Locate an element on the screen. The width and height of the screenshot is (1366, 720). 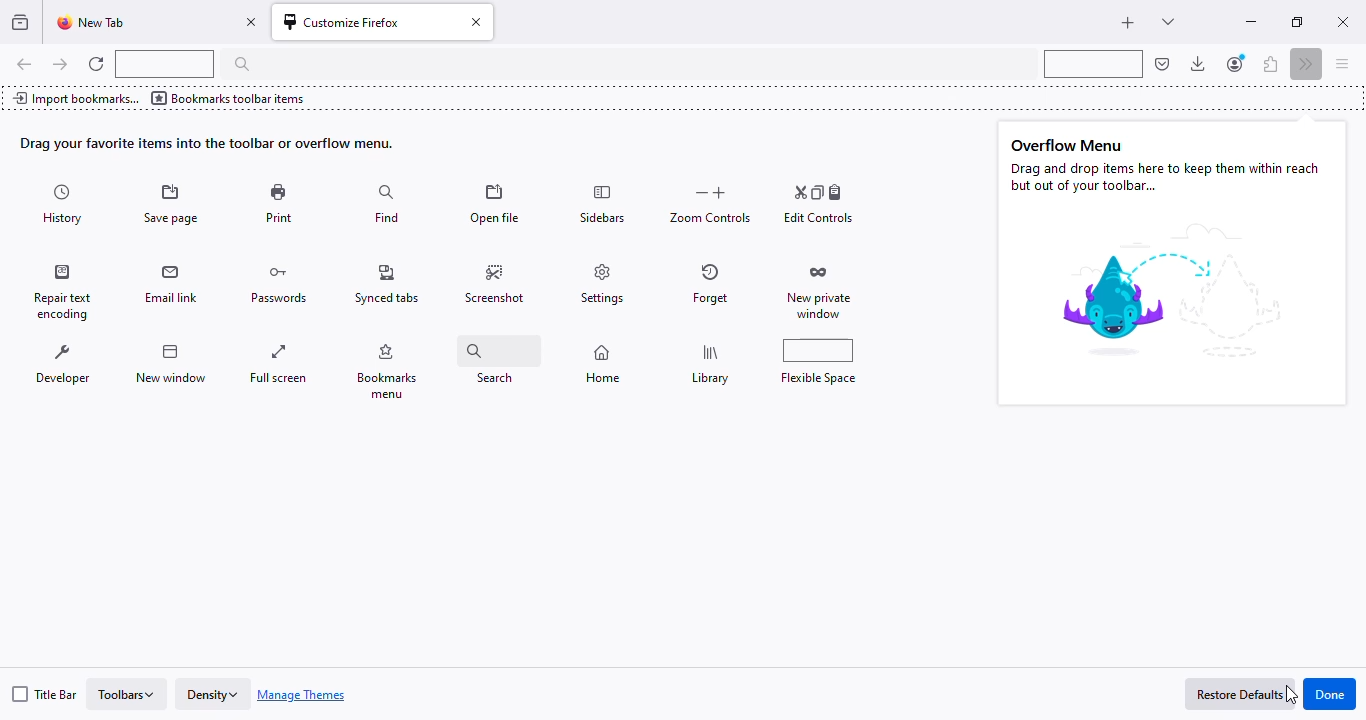
maximize is located at coordinates (1298, 22).